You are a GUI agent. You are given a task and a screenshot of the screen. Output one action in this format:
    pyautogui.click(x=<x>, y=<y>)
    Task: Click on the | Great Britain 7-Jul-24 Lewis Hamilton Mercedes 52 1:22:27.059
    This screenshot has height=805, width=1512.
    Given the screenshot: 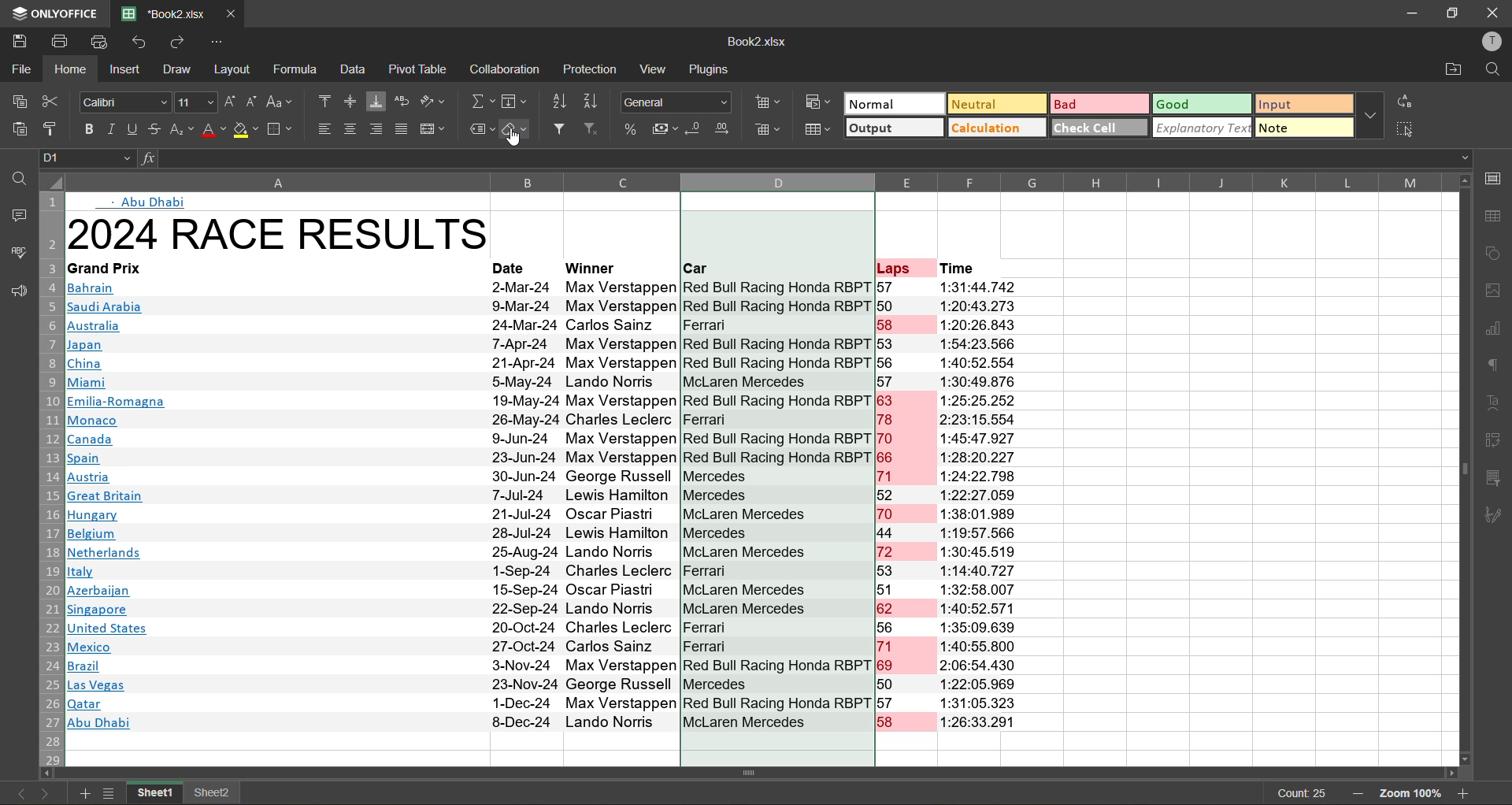 What is the action you would take?
    pyautogui.click(x=547, y=495)
    